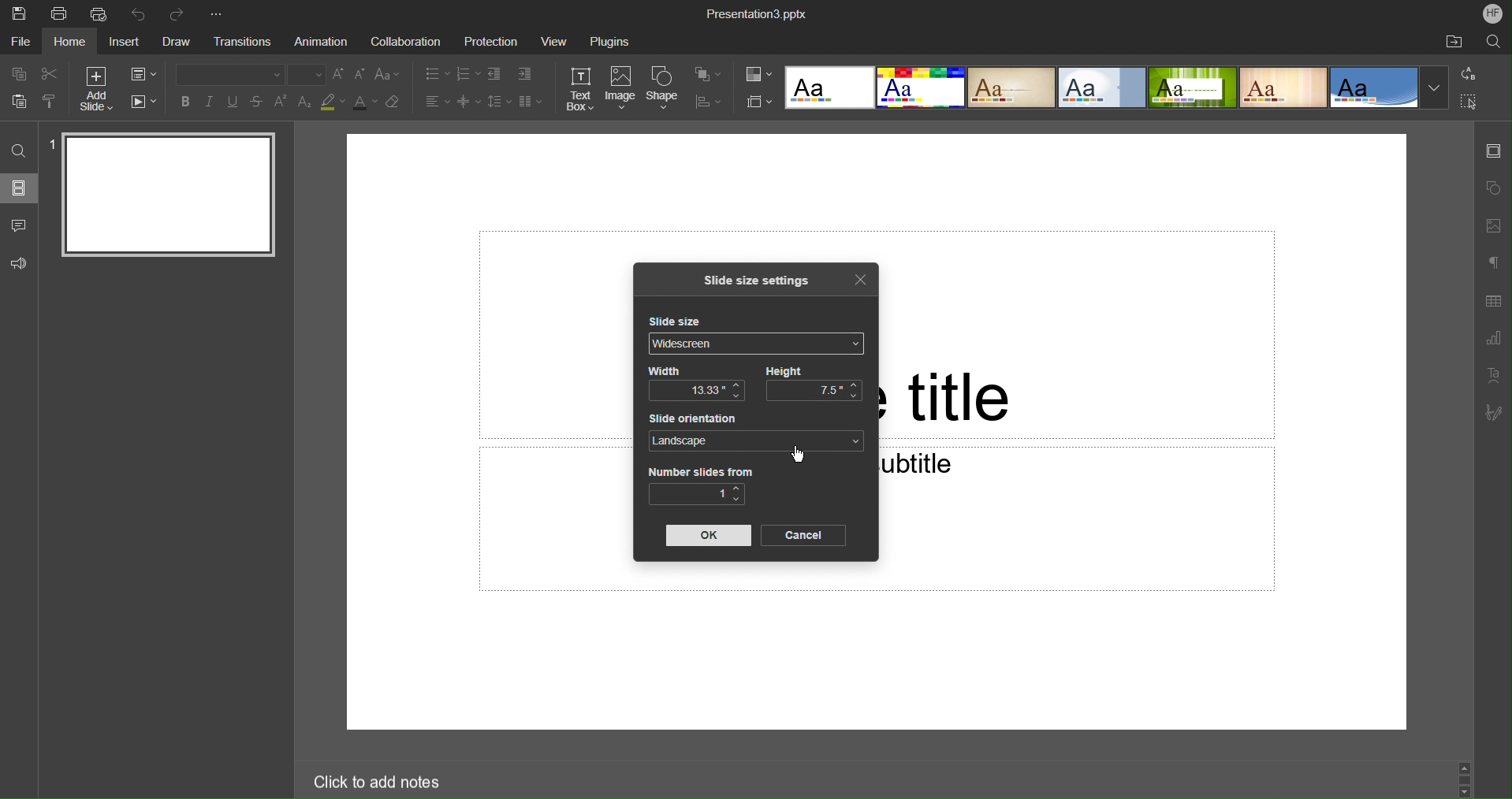 This screenshot has width=1512, height=799. Describe the element at coordinates (758, 13) in the screenshot. I see `Presentation3.pptx` at that location.